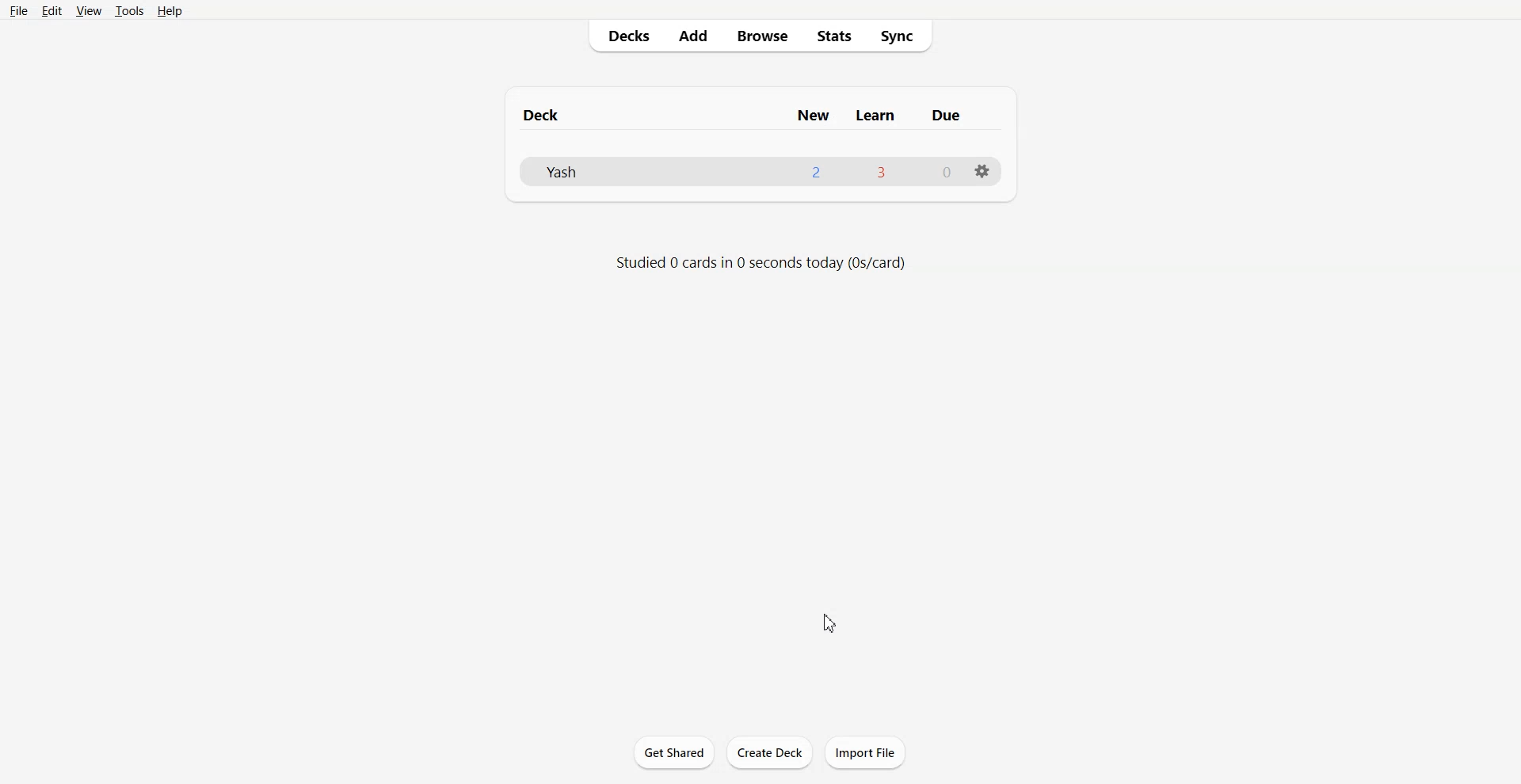 The height and width of the screenshot is (784, 1521). Describe the element at coordinates (834, 36) in the screenshot. I see `Stats` at that location.